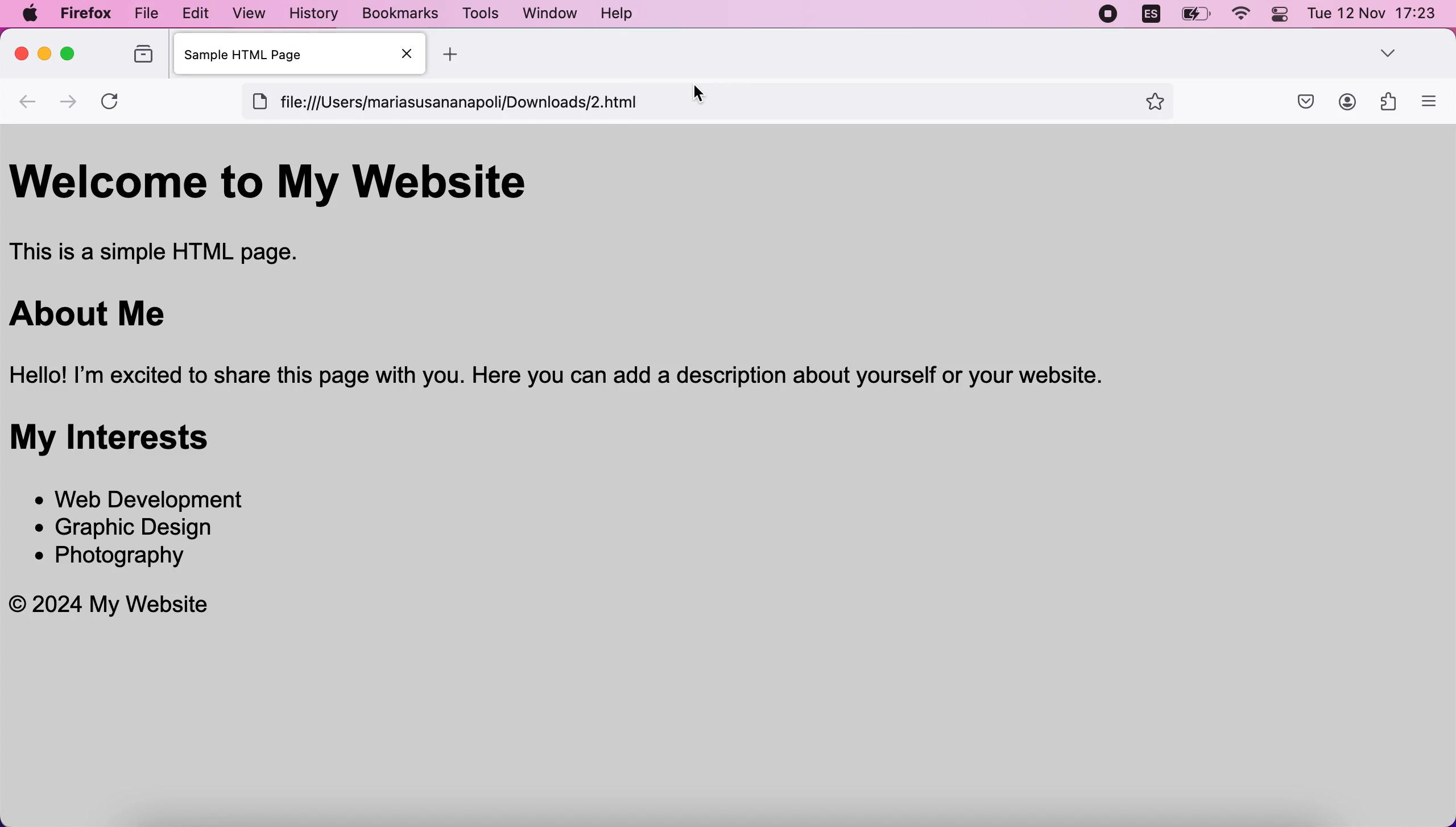 This screenshot has height=827, width=1456. Describe the element at coordinates (402, 14) in the screenshot. I see `bookmarks` at that location.